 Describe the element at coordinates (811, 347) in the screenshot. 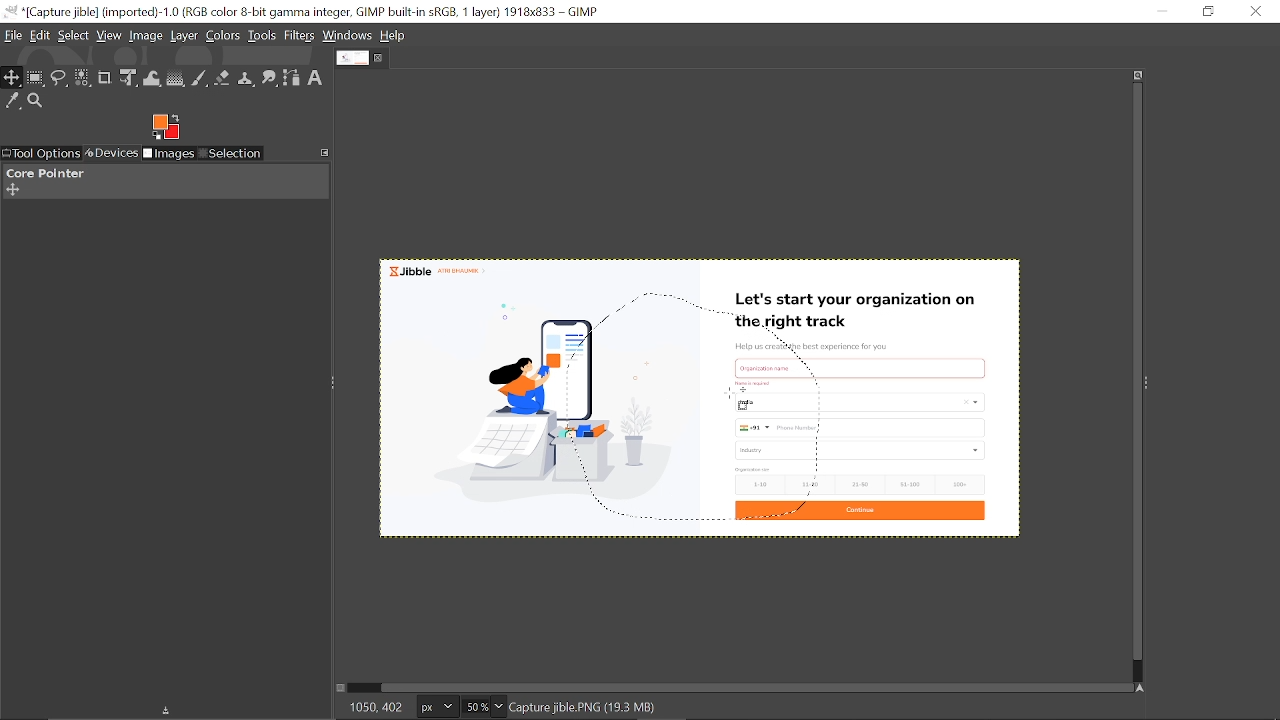

I see `Help us create the best experience for you` at that location.